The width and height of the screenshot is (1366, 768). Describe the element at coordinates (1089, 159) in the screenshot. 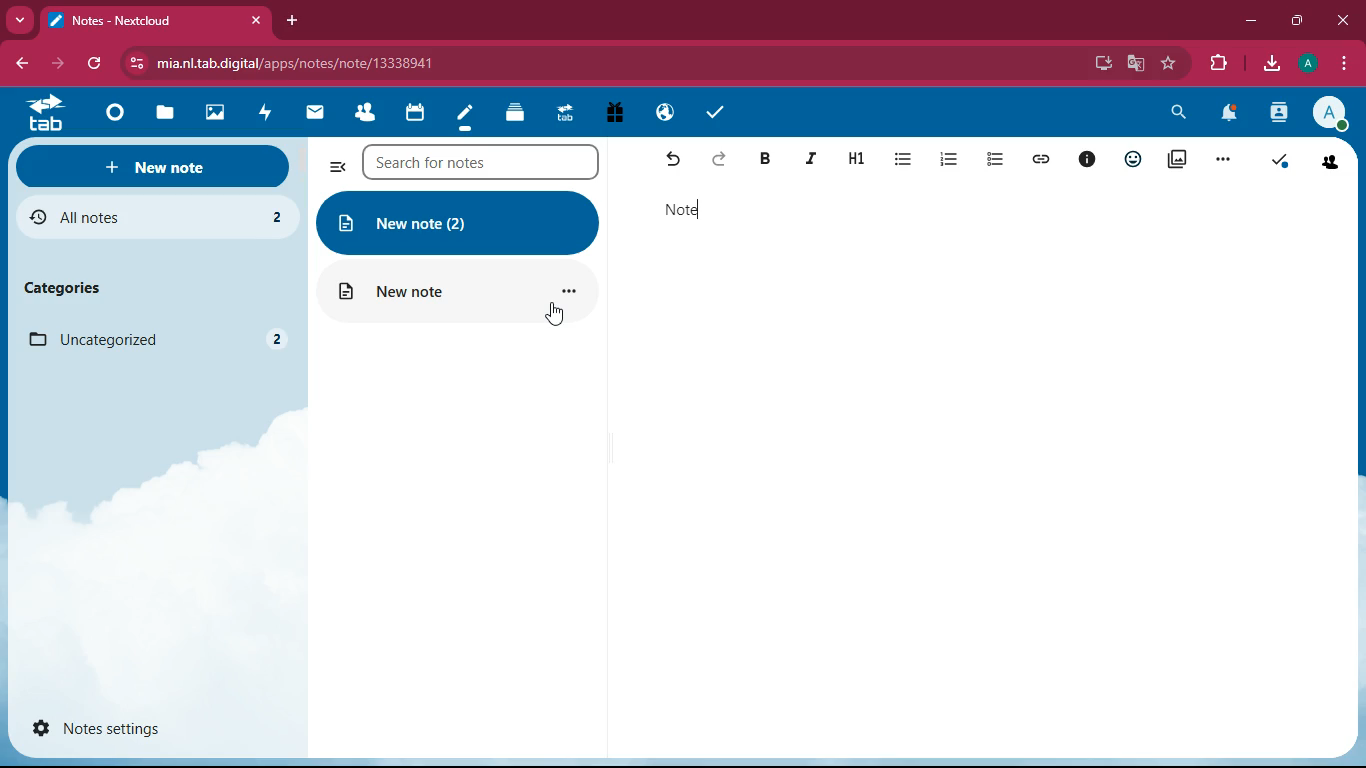

I see `info` at that location.